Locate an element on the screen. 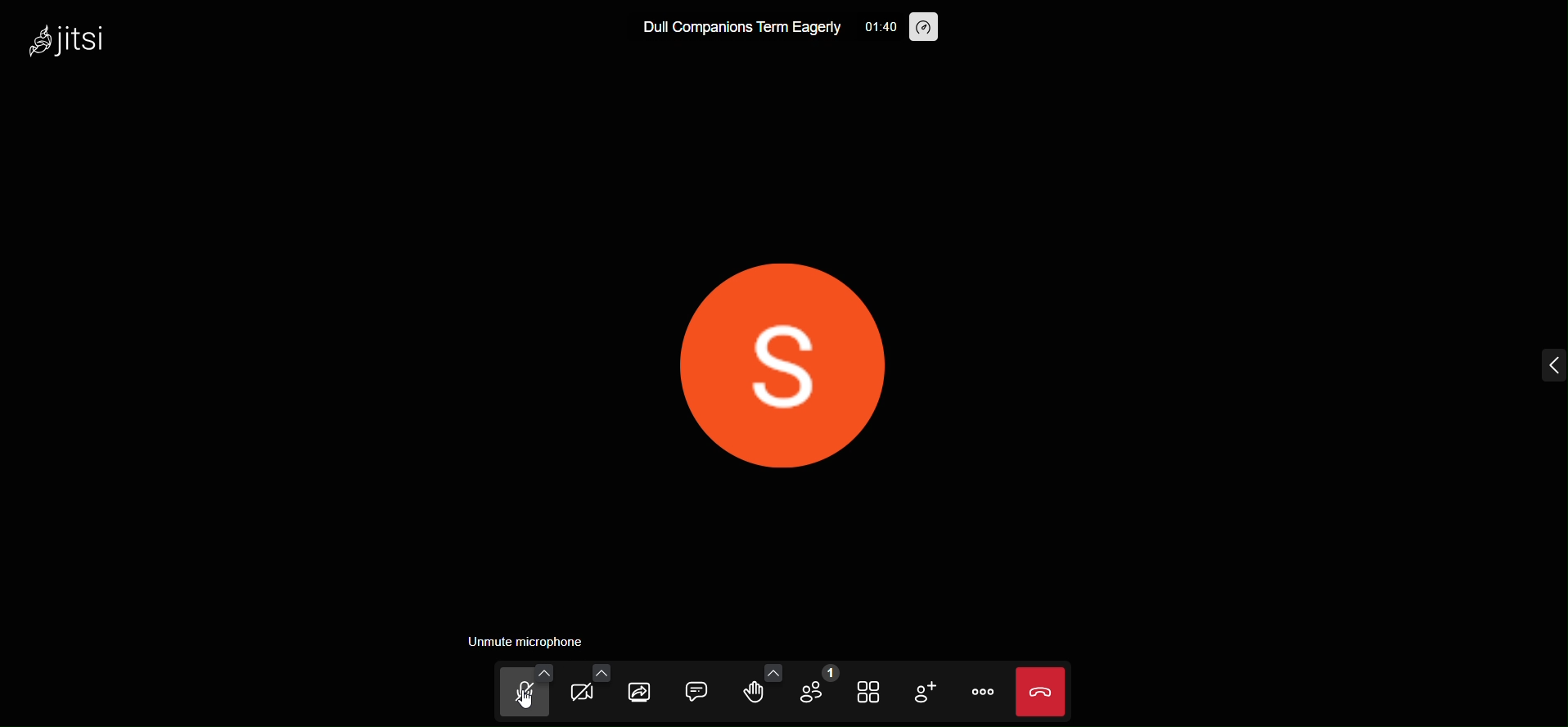 This screenshot has width=1568, height=727. more is located at coordinates (983, 691).